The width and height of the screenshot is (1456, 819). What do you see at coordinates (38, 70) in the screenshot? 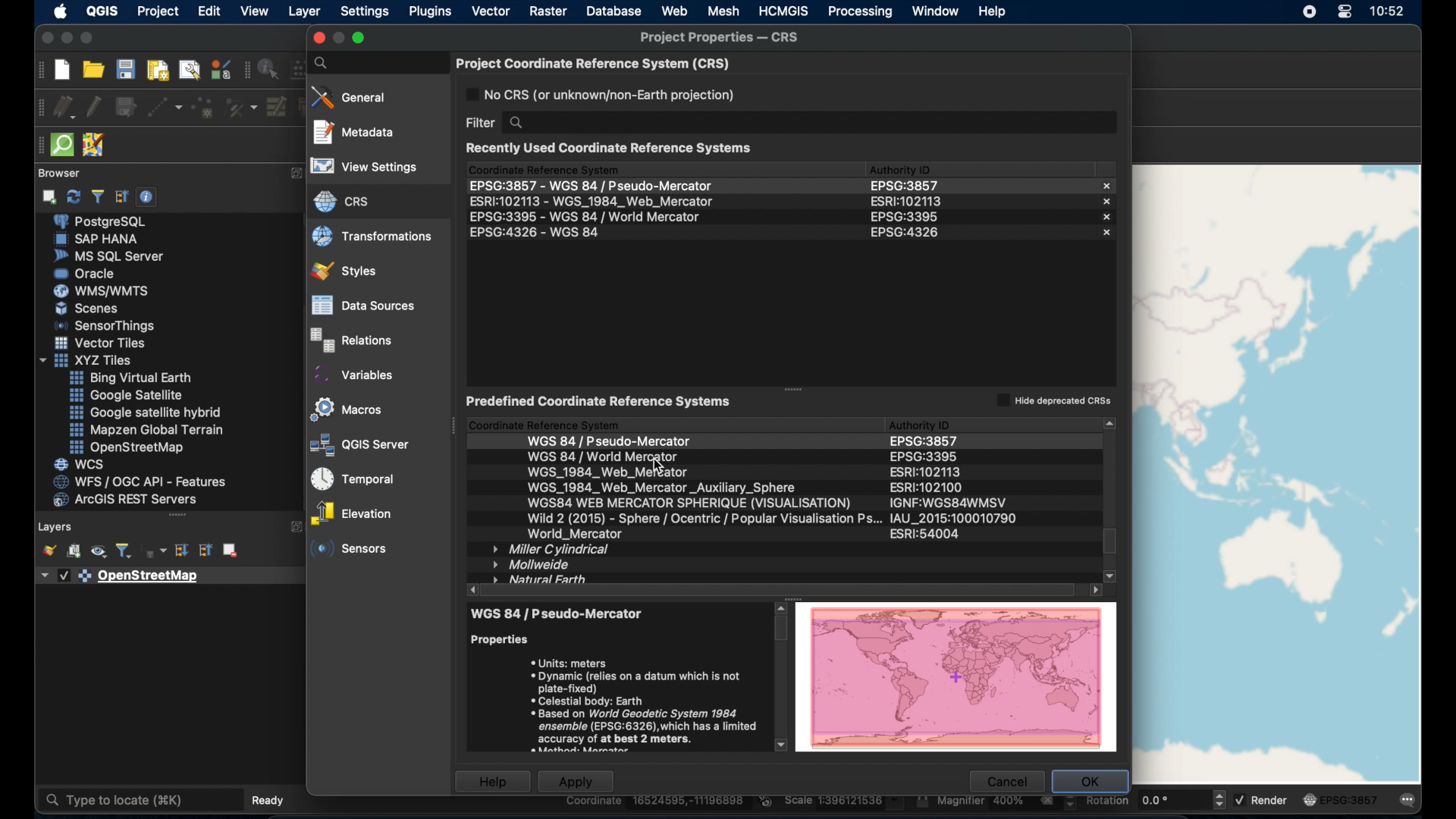
I see `project toolbar` at bounding box center [38, 70].